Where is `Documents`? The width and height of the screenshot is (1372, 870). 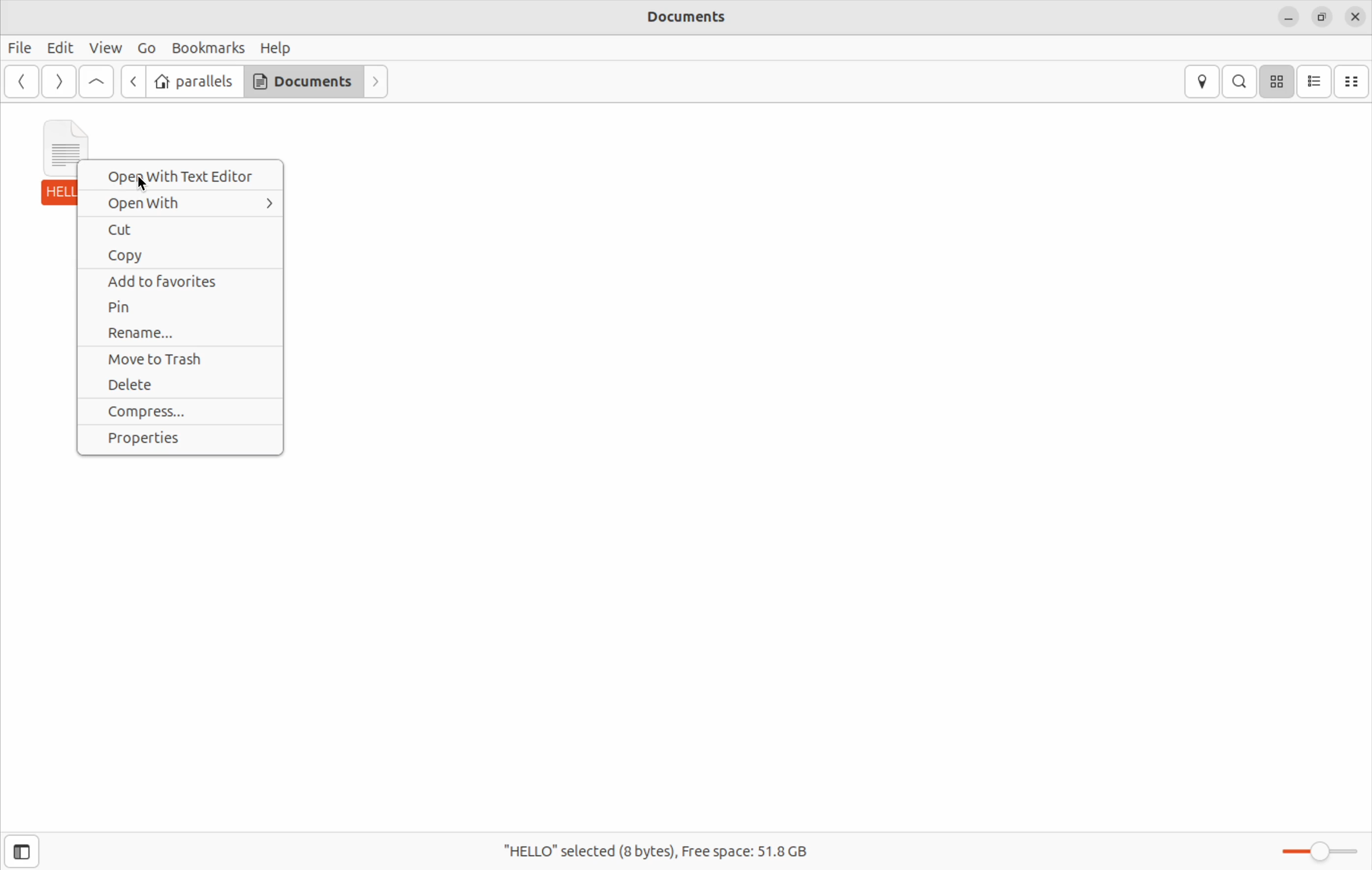 Documents is located at coordinates (301, 83).